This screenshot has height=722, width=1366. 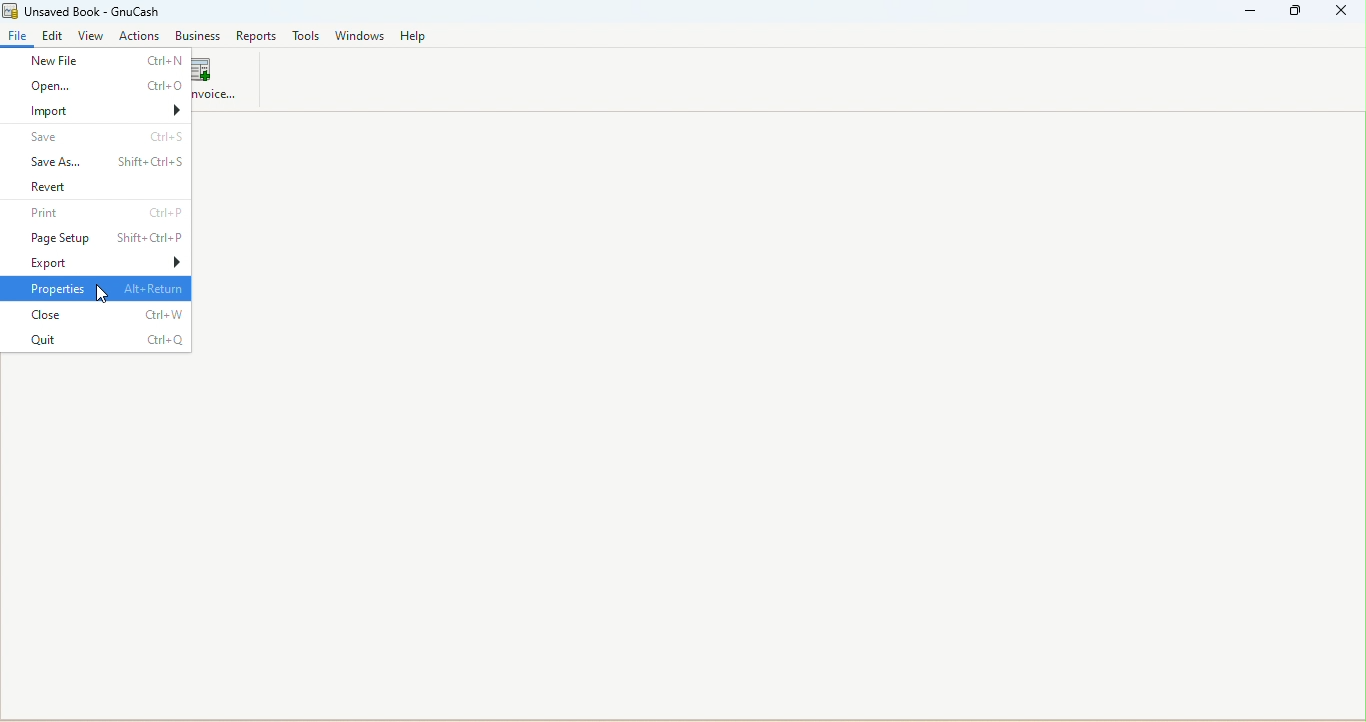 What do you see at coordinates (198, 35) in the screenshot?
I see `Business` at bounding box center [198, 35].